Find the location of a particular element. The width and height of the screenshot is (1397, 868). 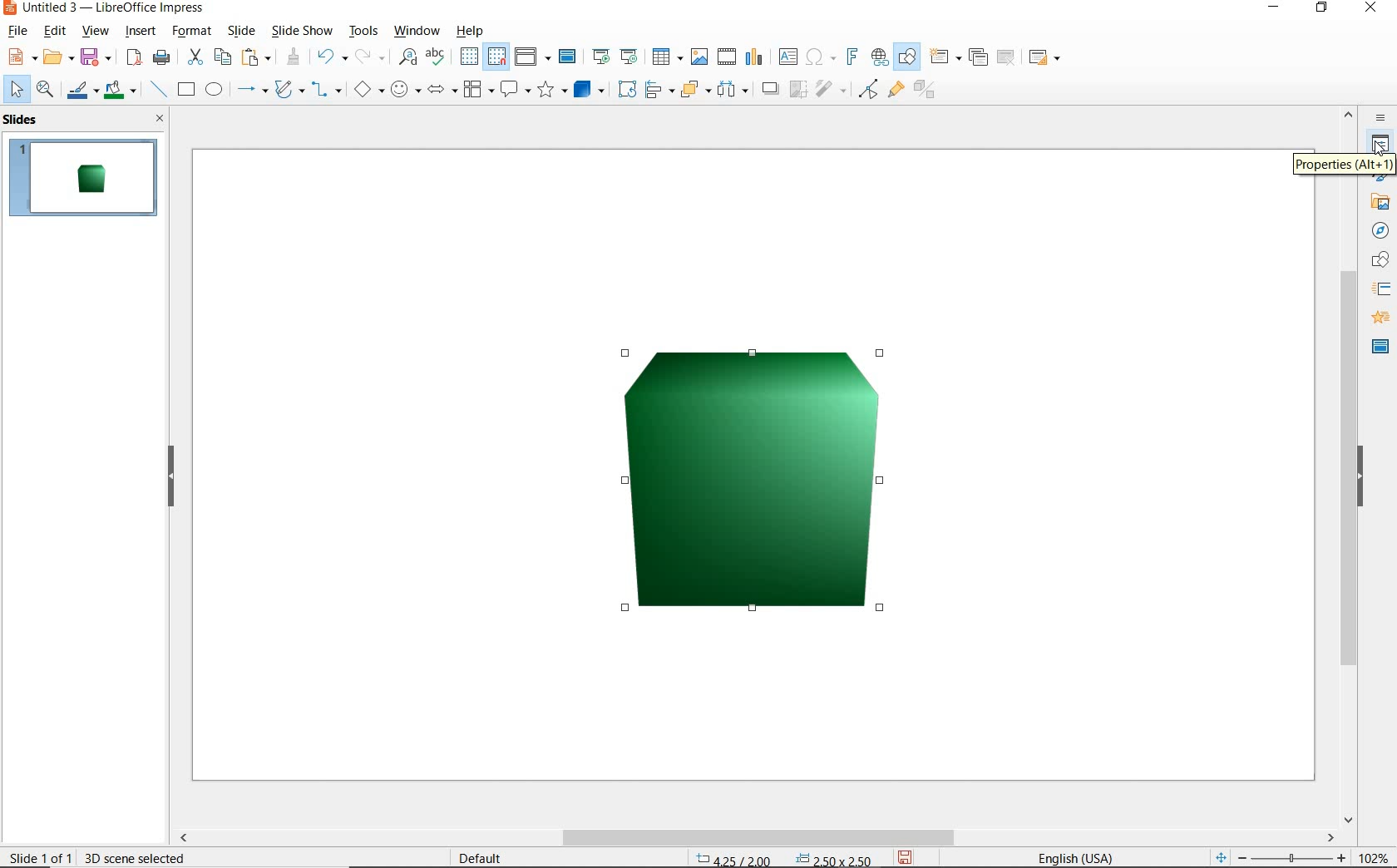

insert is located at coordinates (141, 32).